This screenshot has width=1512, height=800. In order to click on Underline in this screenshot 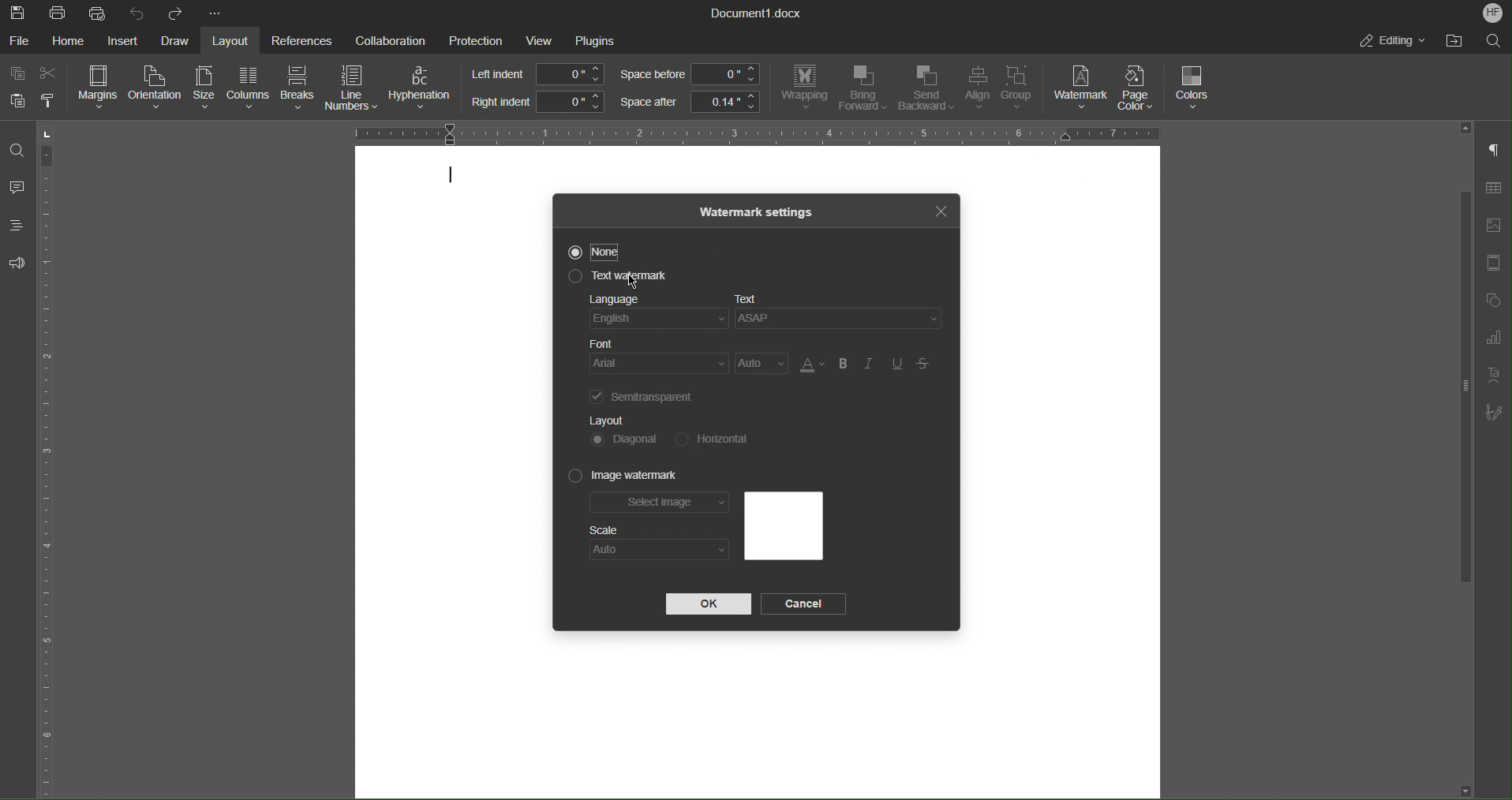, I will do `click(898, 364)`.